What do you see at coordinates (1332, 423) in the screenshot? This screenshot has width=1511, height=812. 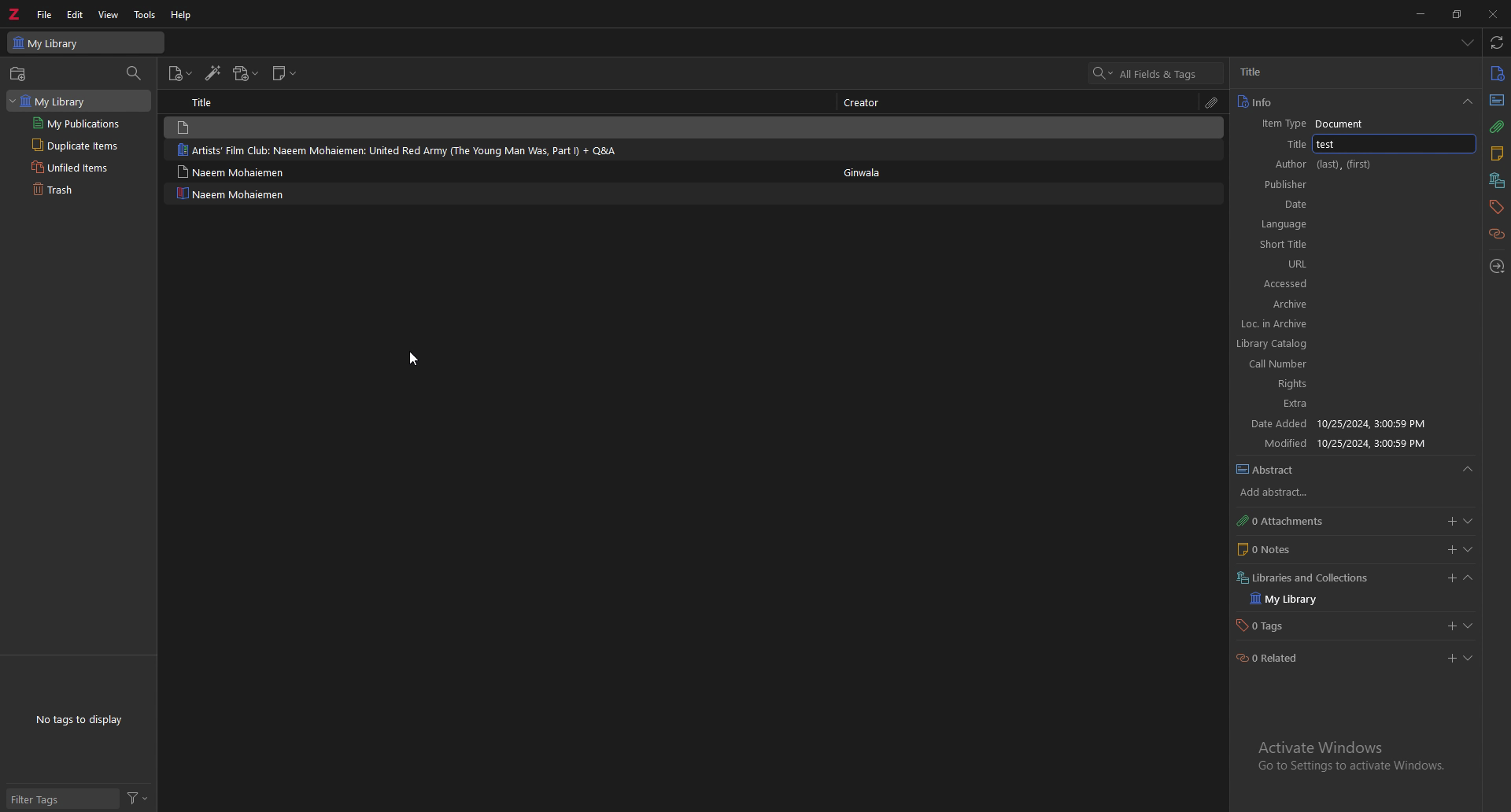 I see `URL` at bounding box center [1332, 423].